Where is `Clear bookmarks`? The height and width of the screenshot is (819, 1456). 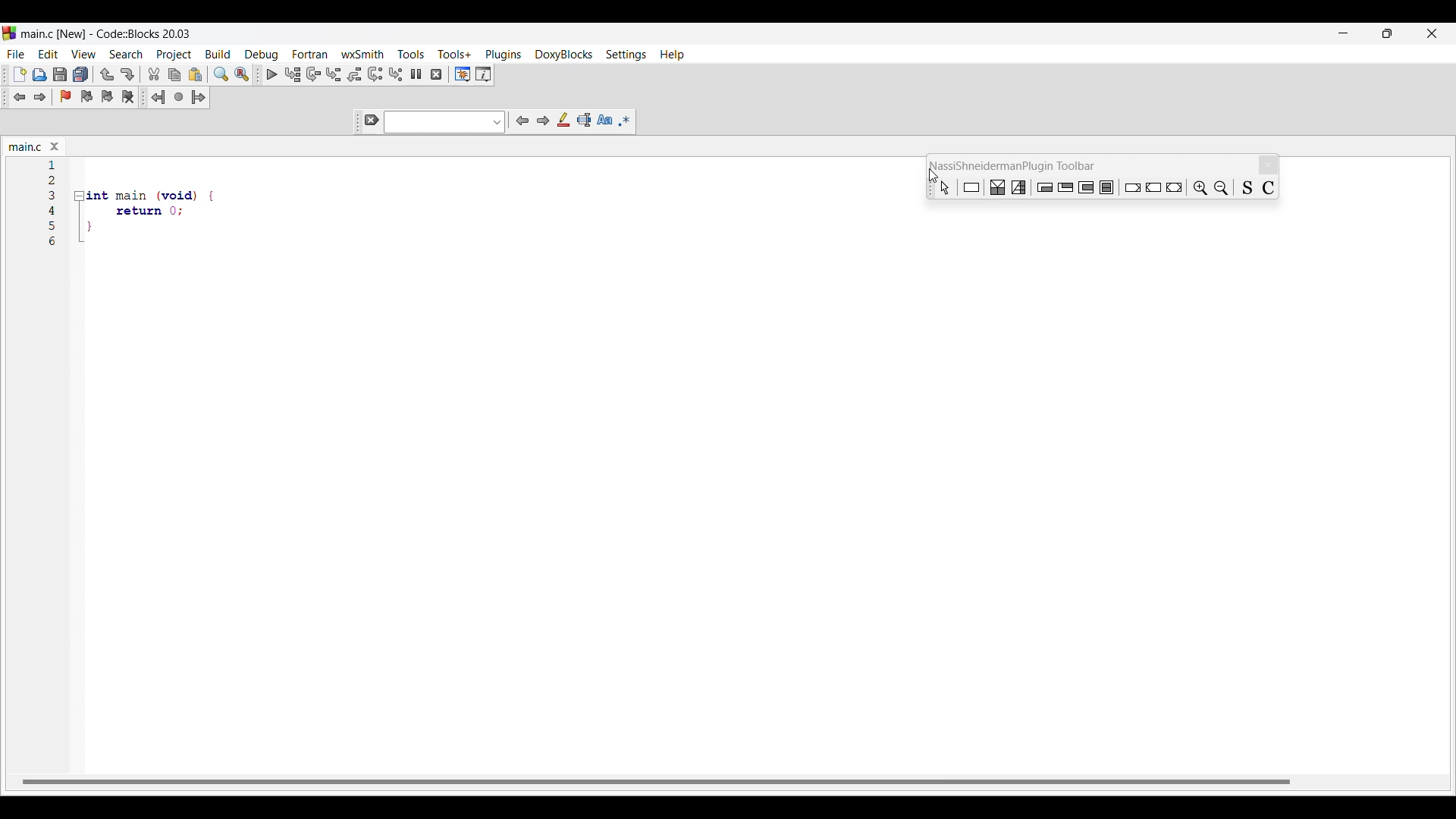
Clear bookmarks is located at coordinates (128, 96).